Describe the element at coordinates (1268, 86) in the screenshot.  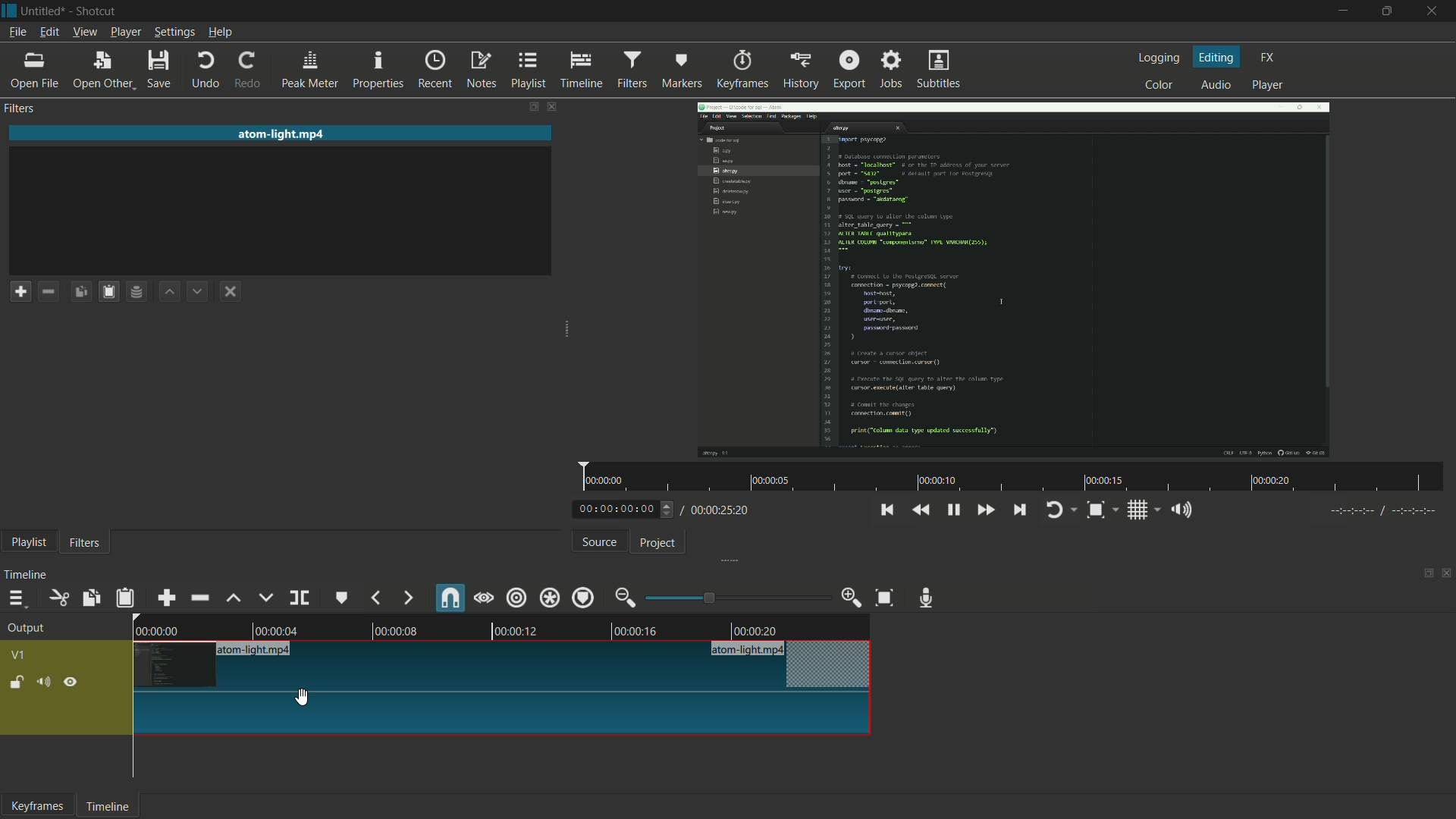
I see `player` at that location.